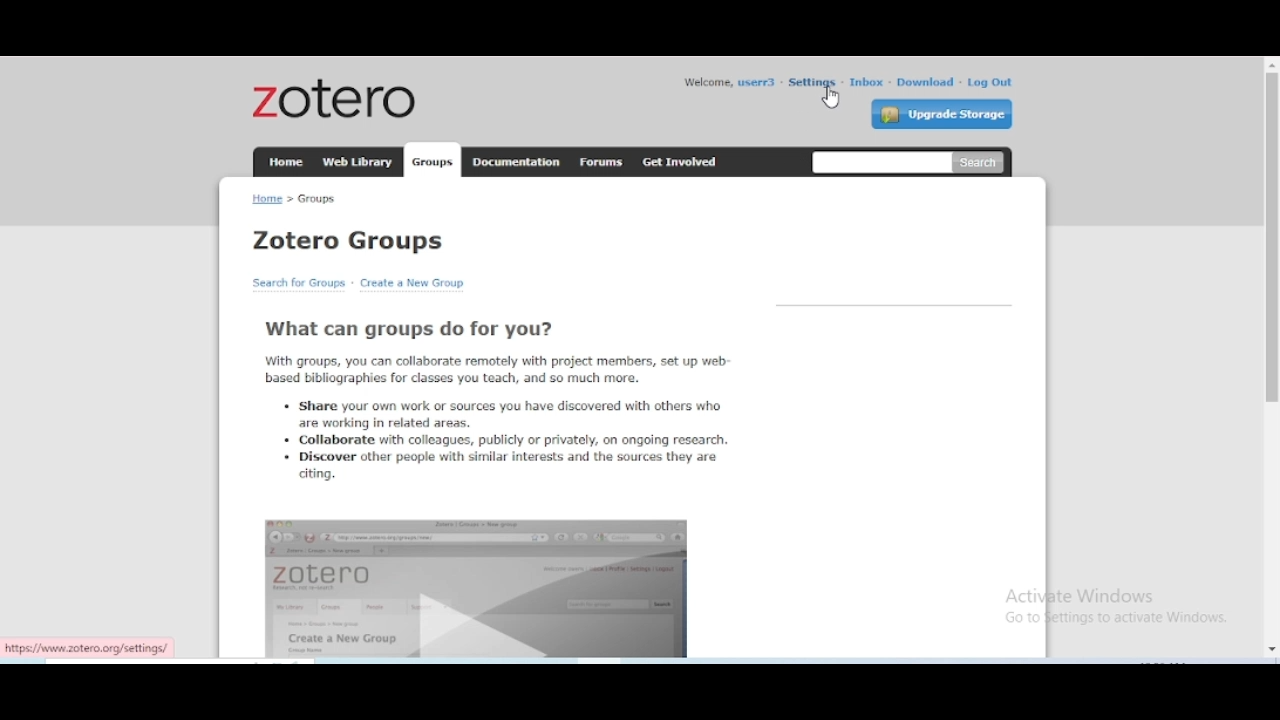 This screenshot has width=1280, height=720. I want to click on search, so click(881, 165).